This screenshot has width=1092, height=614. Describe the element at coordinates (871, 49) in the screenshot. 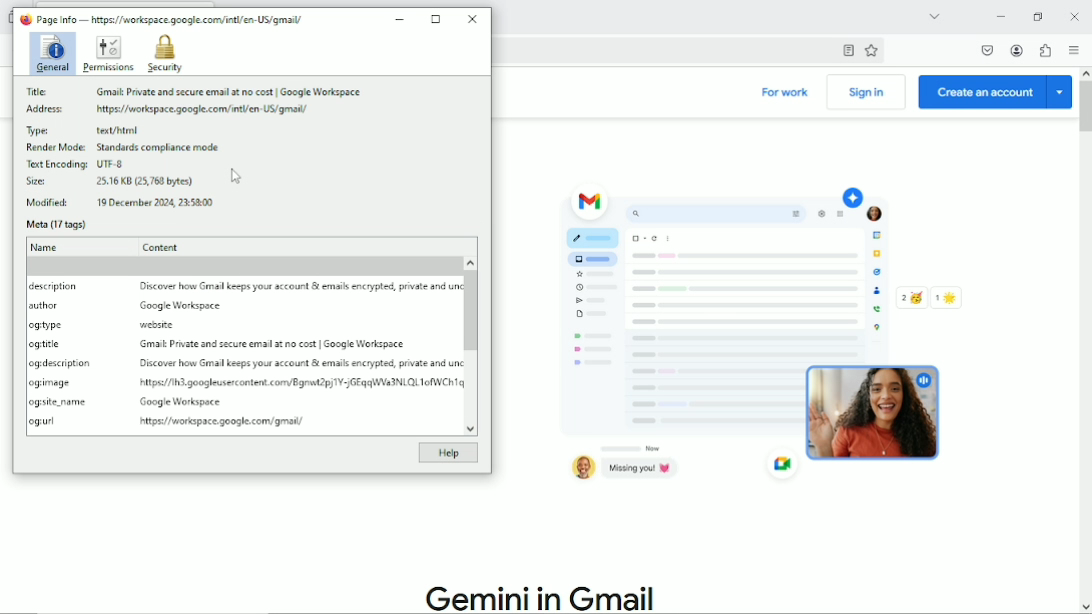

I see `Bookmark this page` at that location.